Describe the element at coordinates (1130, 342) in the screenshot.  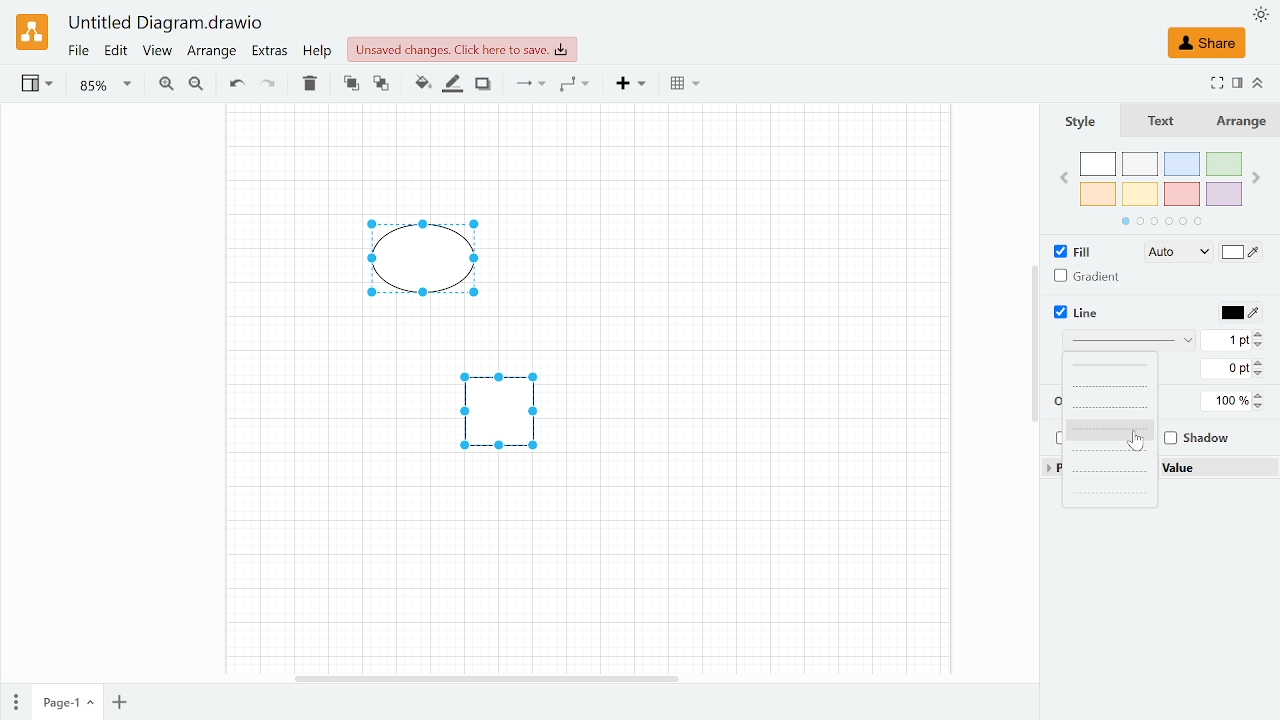
I see `Line style` at that location.